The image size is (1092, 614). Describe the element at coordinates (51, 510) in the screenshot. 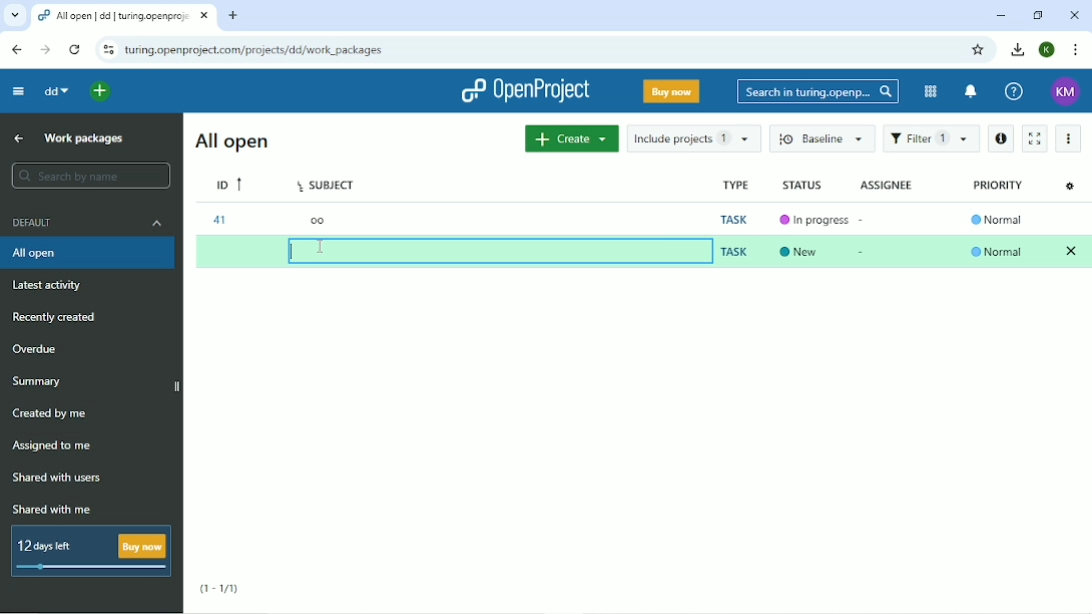

I see `Shared with me` at that location.